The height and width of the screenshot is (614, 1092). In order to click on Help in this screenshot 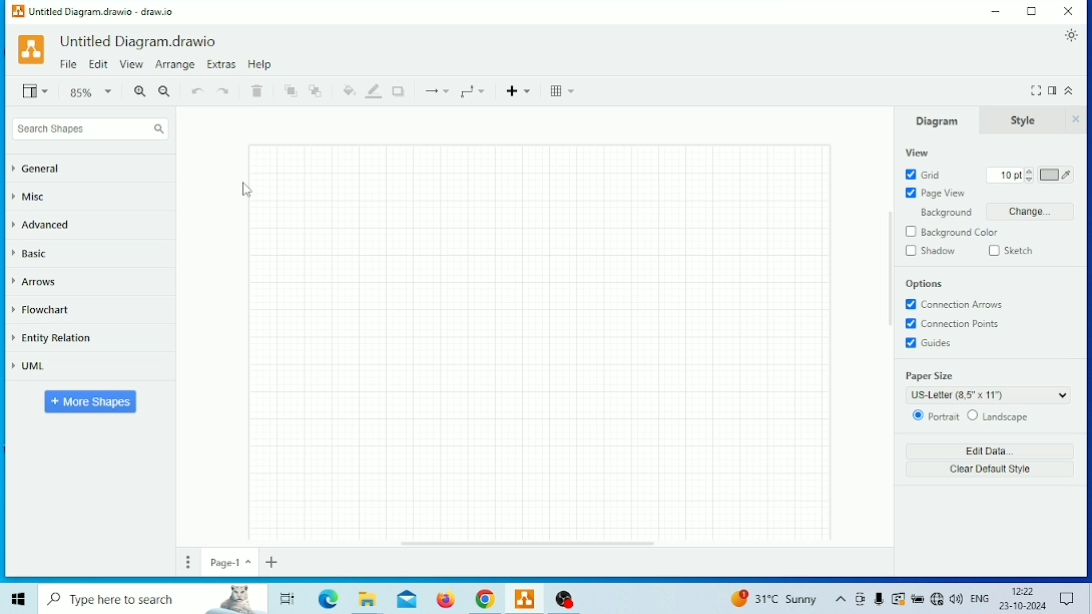, I will do `click(259, 64)`.